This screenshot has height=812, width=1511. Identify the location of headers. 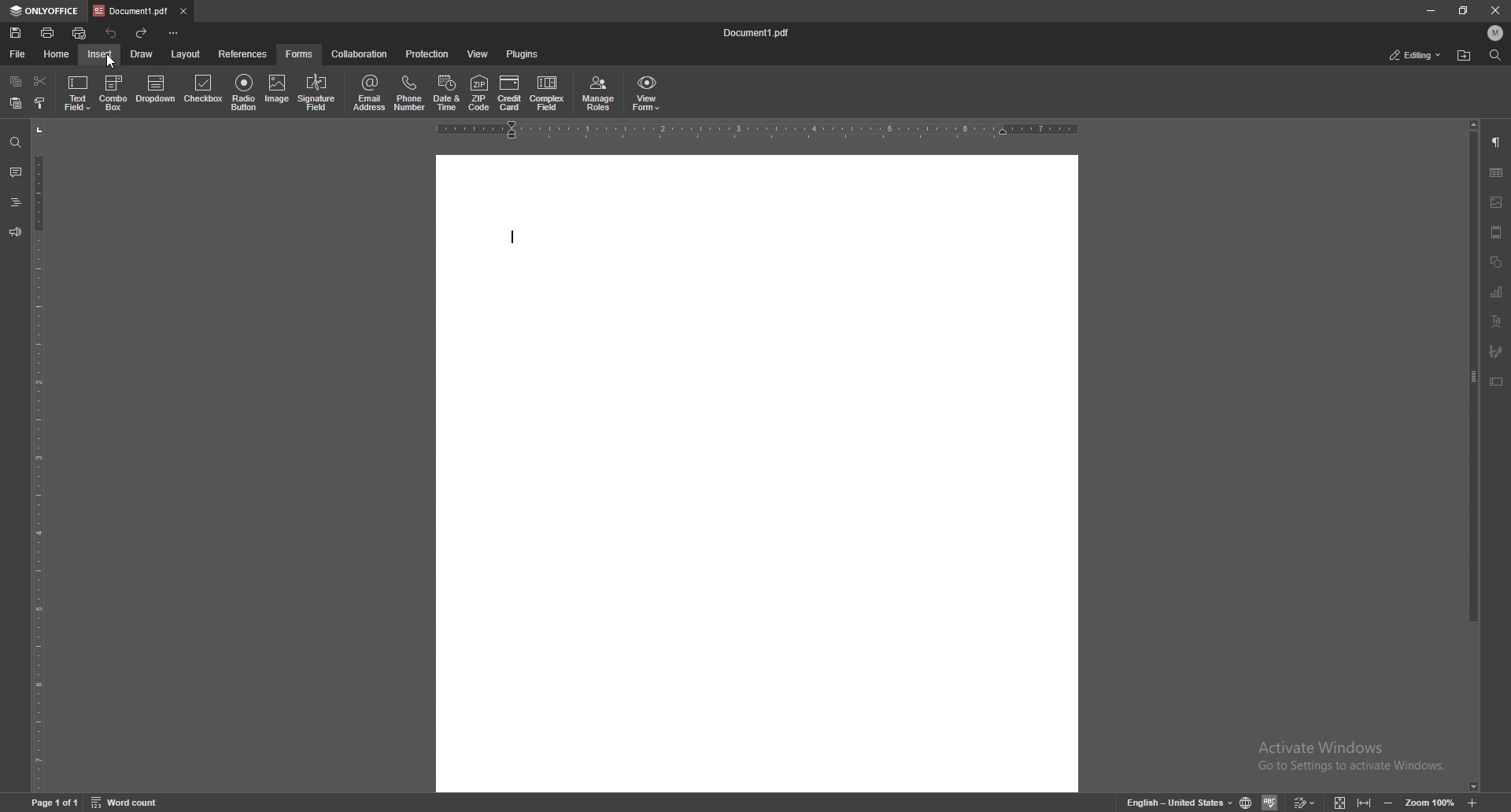
(14, 201).